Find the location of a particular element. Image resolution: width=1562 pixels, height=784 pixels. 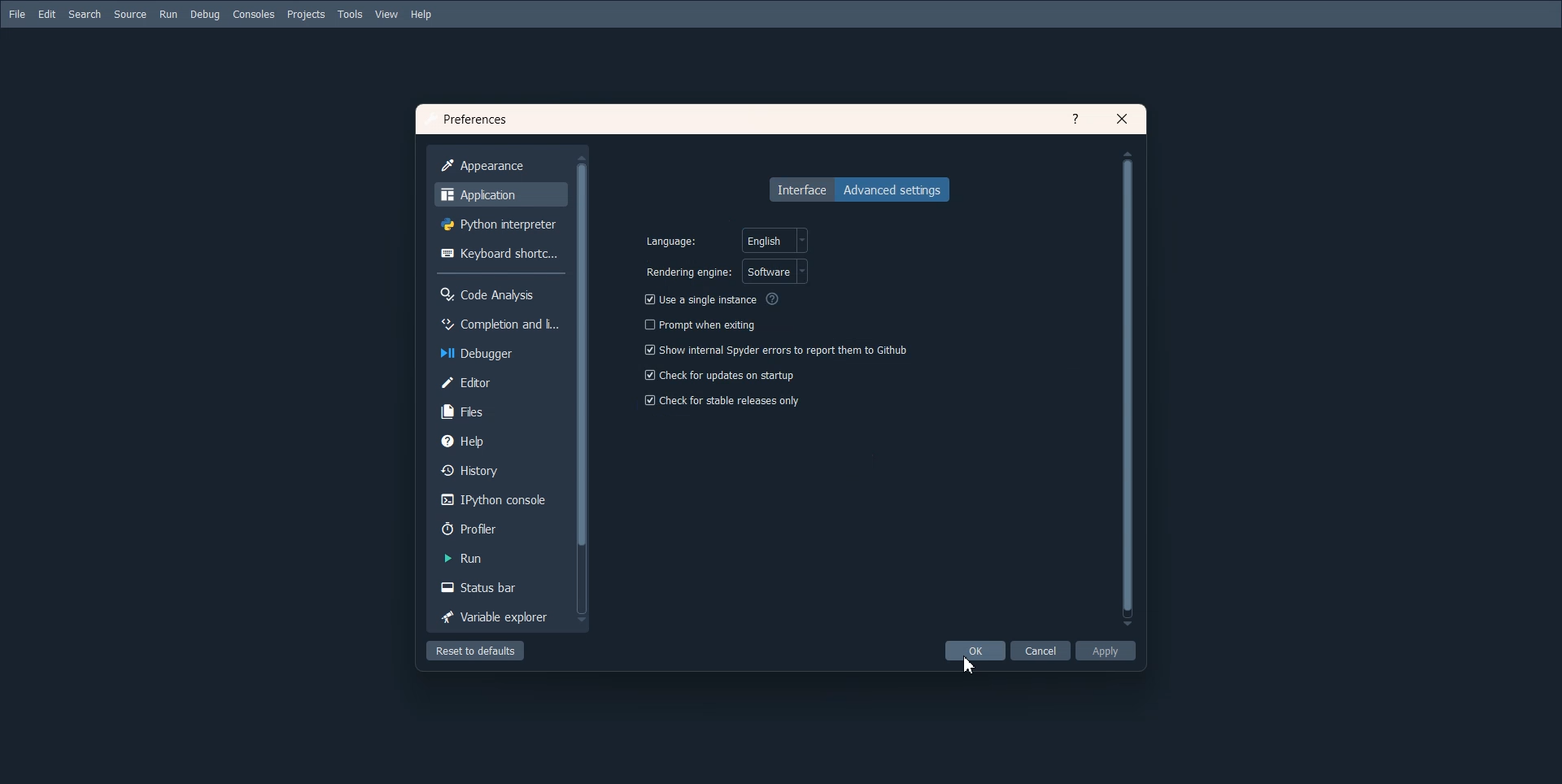

Consoles is located at coordinates (254, 15).